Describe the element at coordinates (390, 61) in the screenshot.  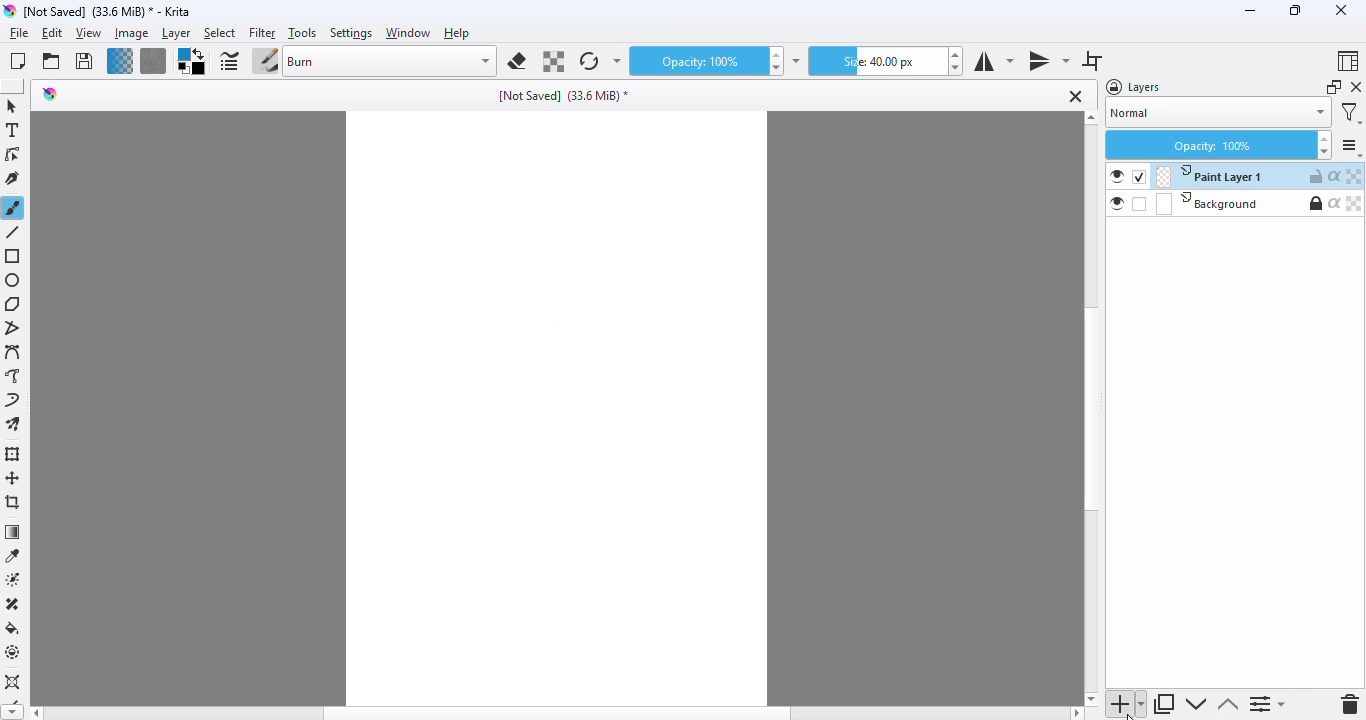
I see `blending mode` at that location.